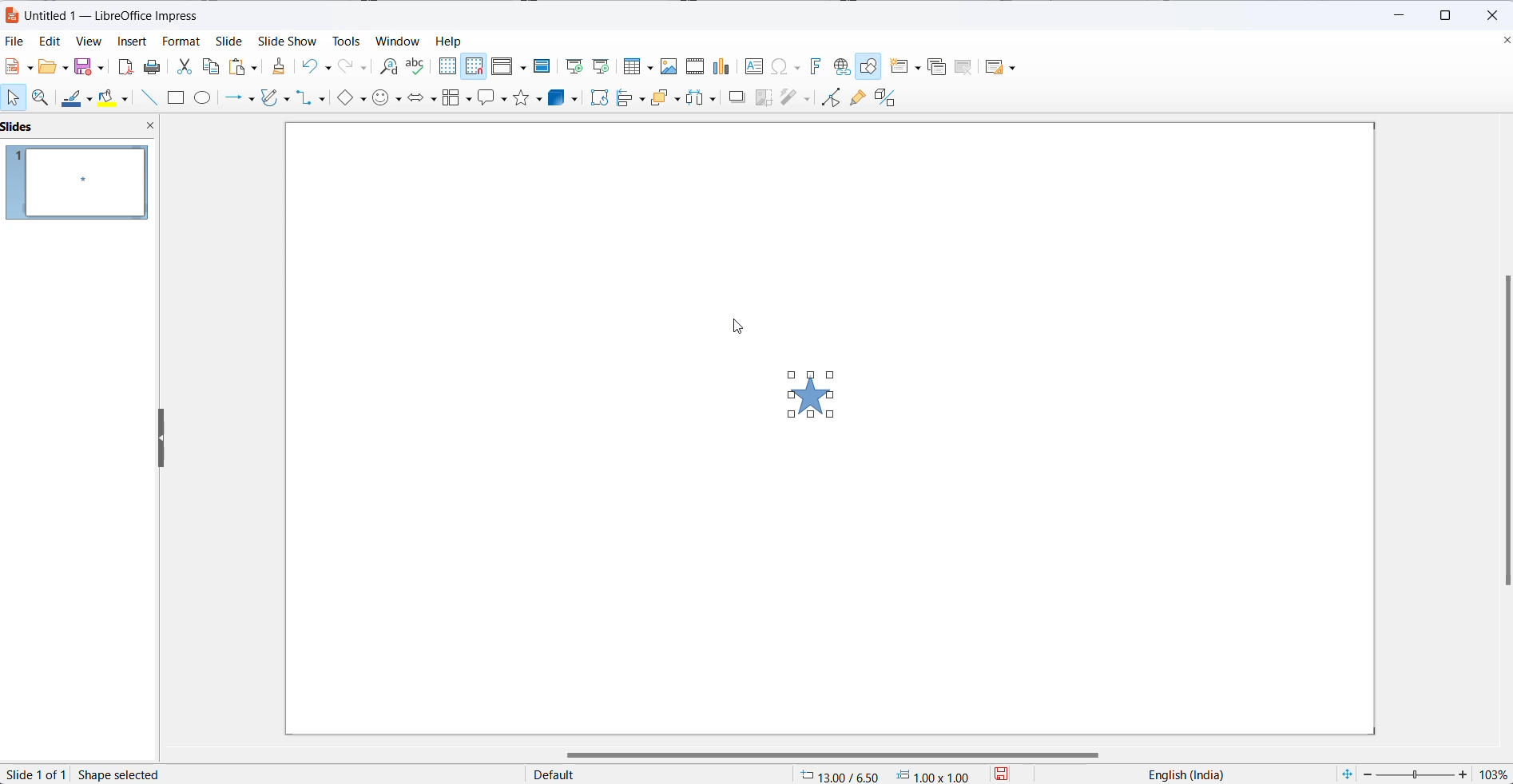 This screenshot has width=1513, height=784. Describe the element at coordinates (1001, 66) in the screenshot. I see `SLIDE LAYOUT` at that location.